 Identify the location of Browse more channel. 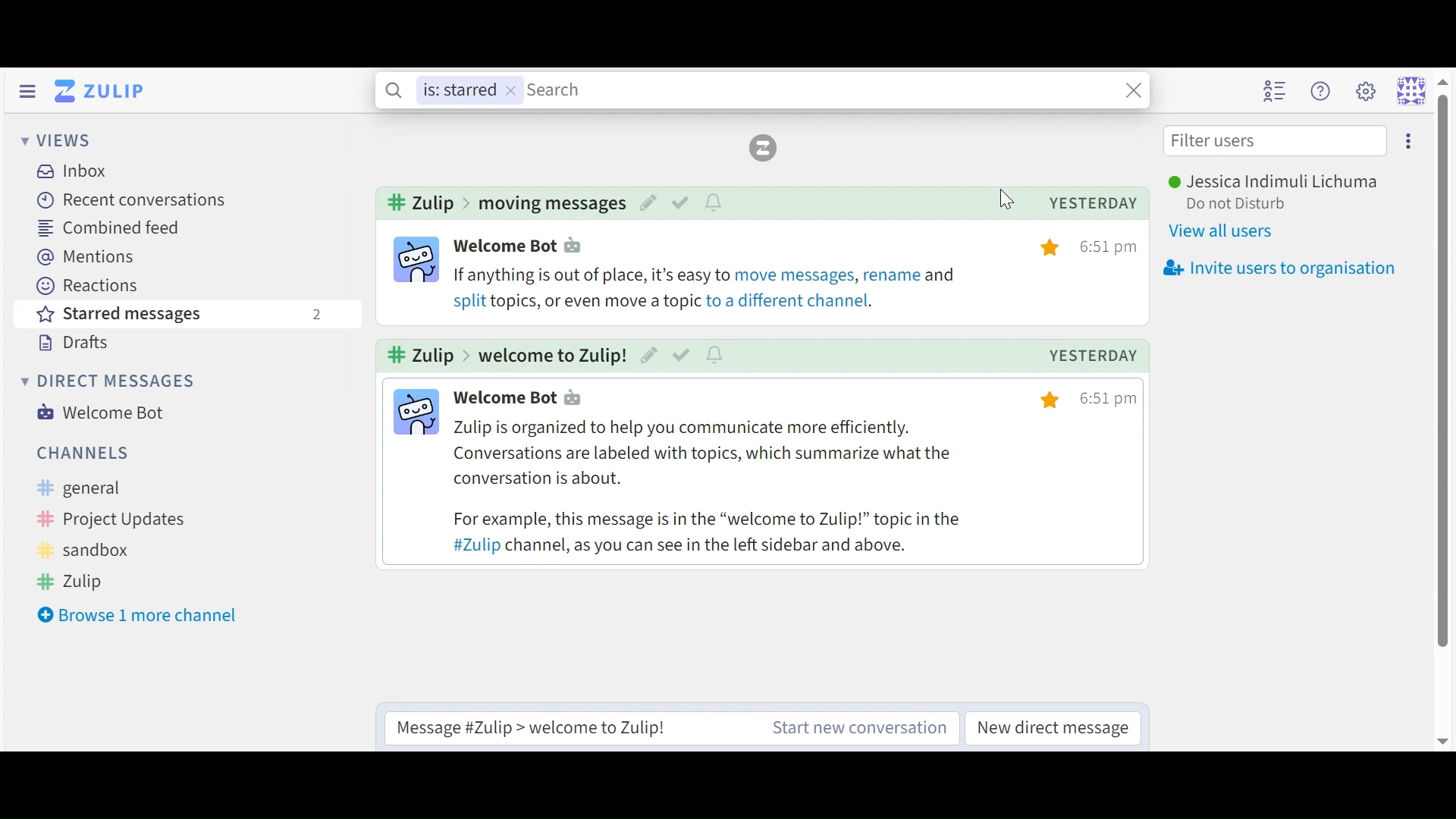
(142, 617).